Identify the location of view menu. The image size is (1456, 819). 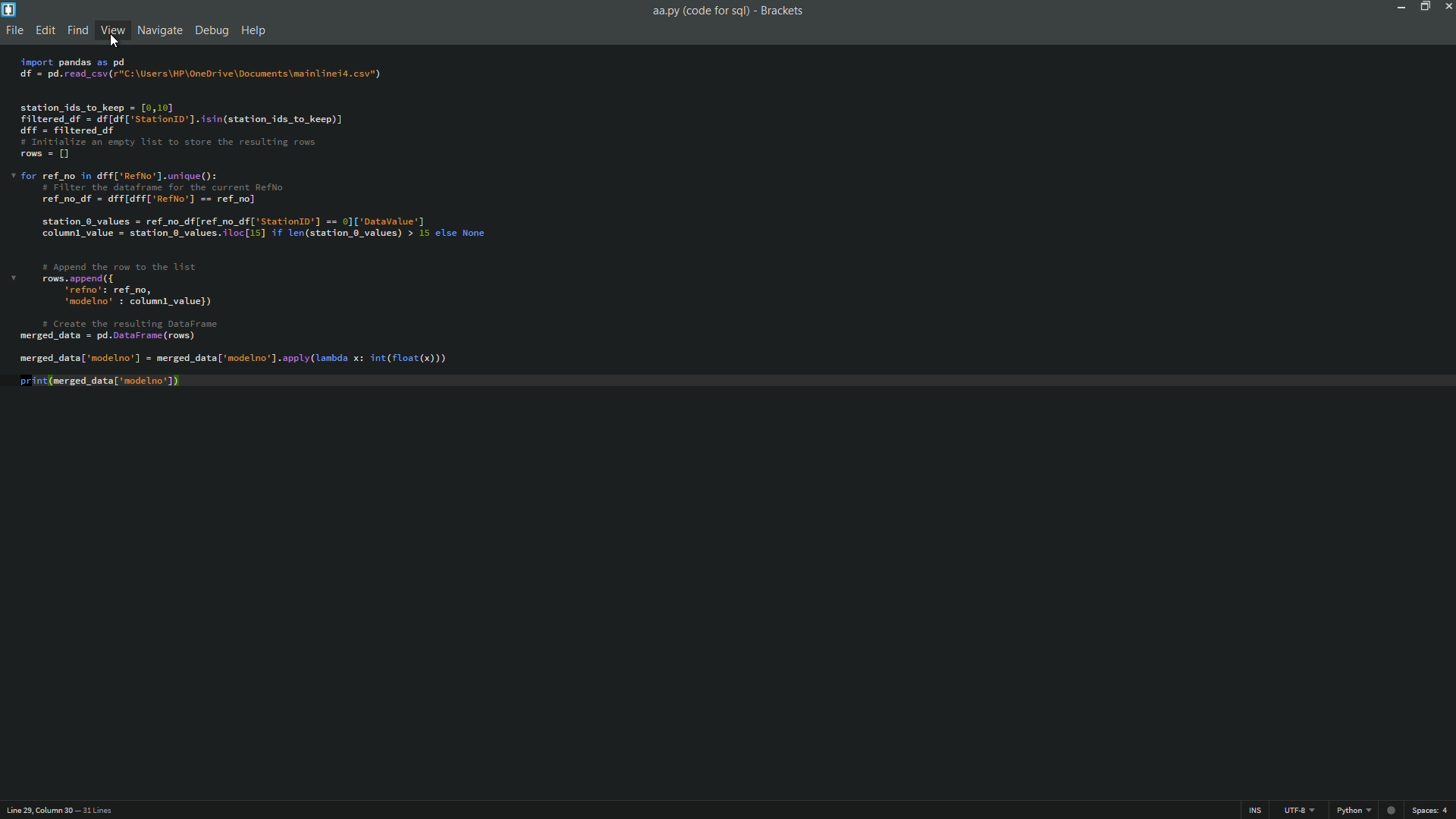
(112, 29).